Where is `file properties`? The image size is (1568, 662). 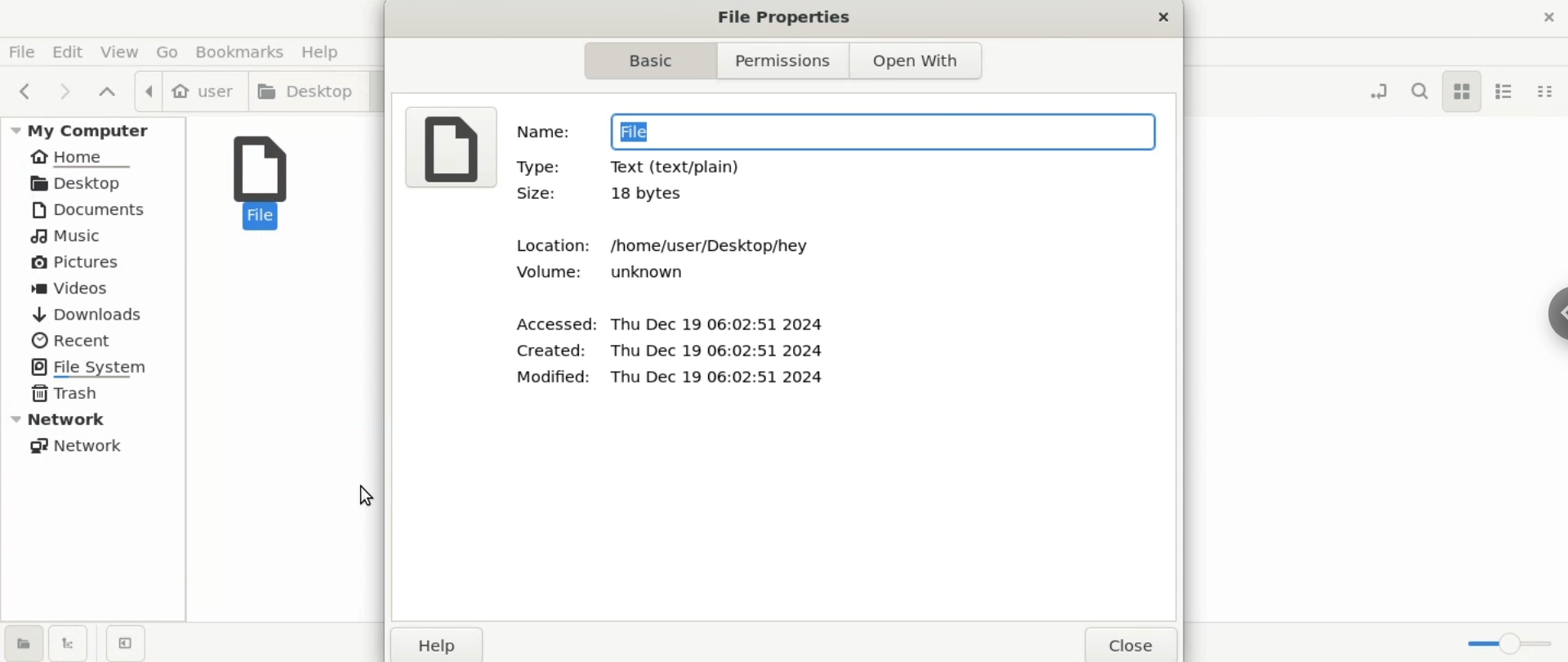
file properties is located at coordinates (784, 17).